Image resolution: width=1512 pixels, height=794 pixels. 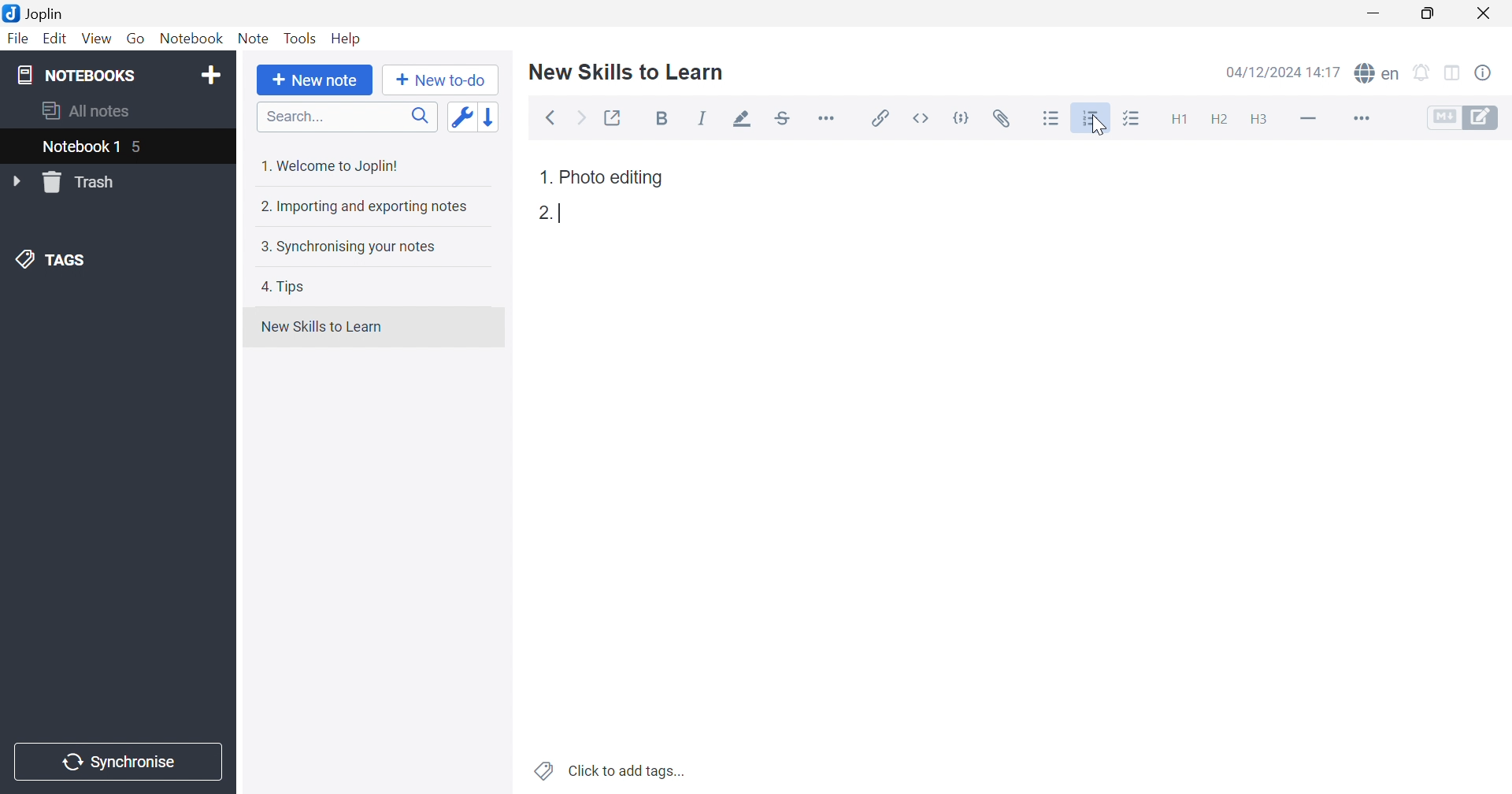 I want to click on Bold, so click(x=666, y=120).